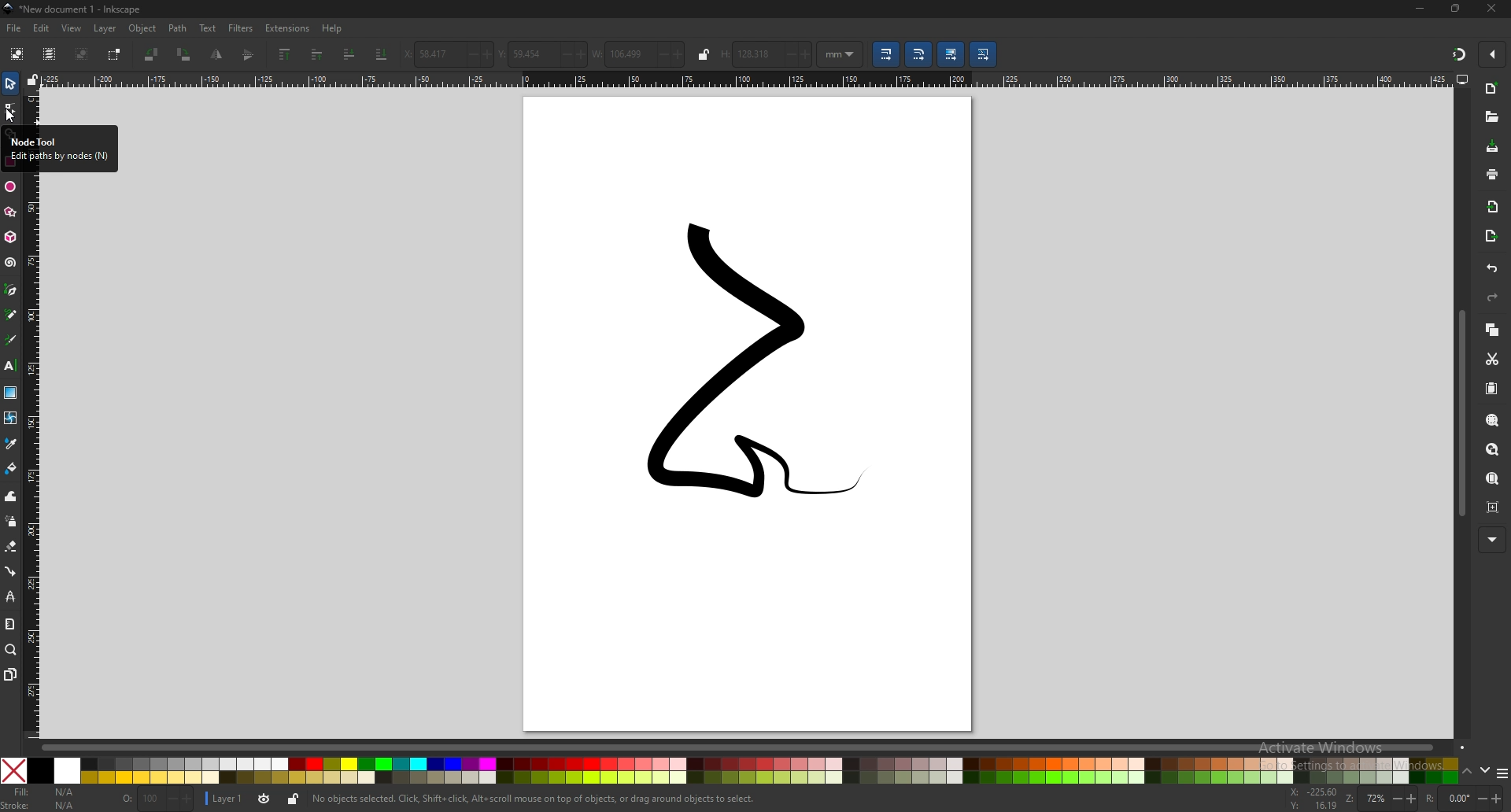 The image size is (1511, 812). What do you see at coordinates (1492, 297) in the screenshot?
I see `redo` at bounding box center [1492, 297].